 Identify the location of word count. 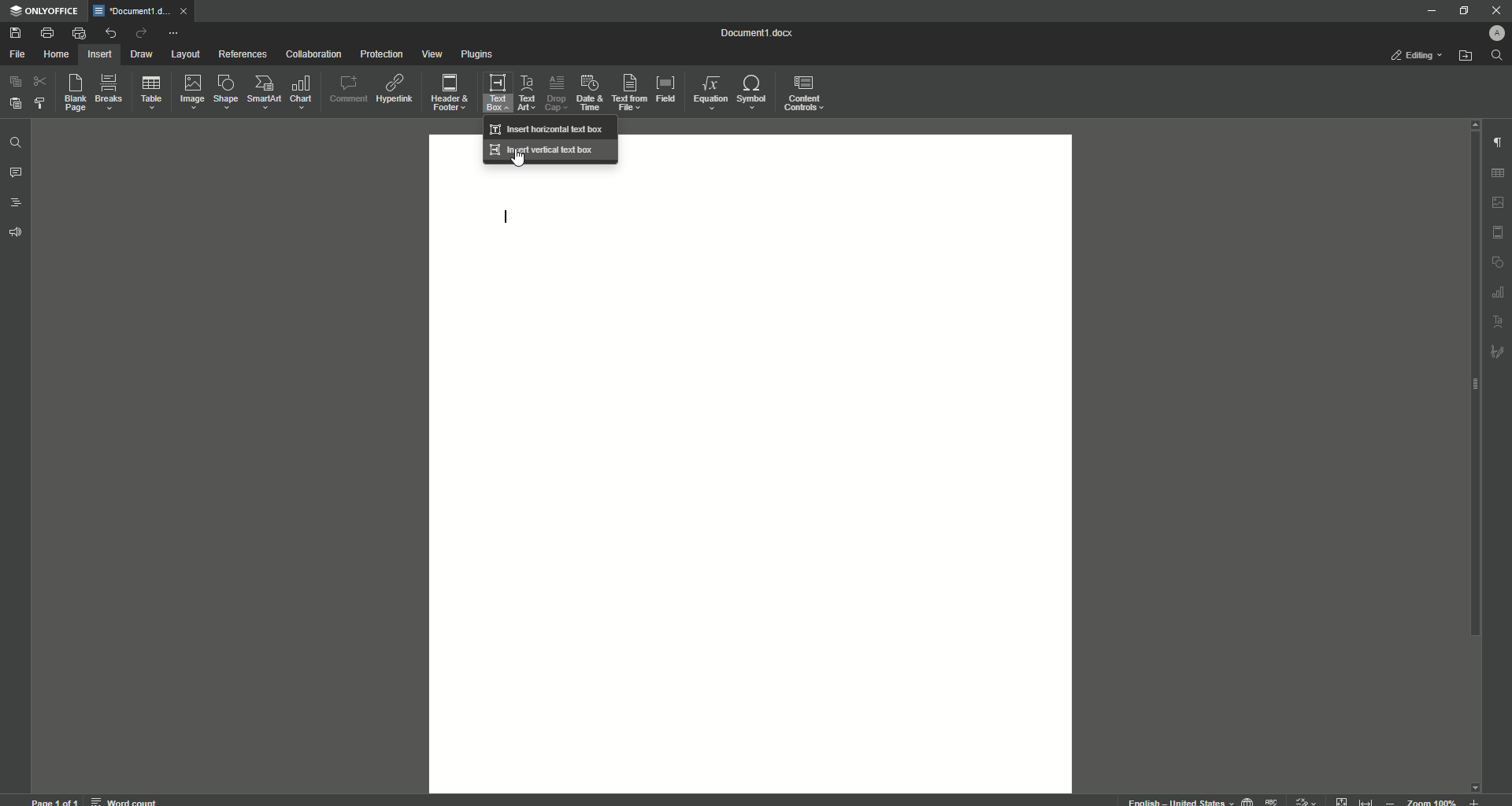
(123, 799).